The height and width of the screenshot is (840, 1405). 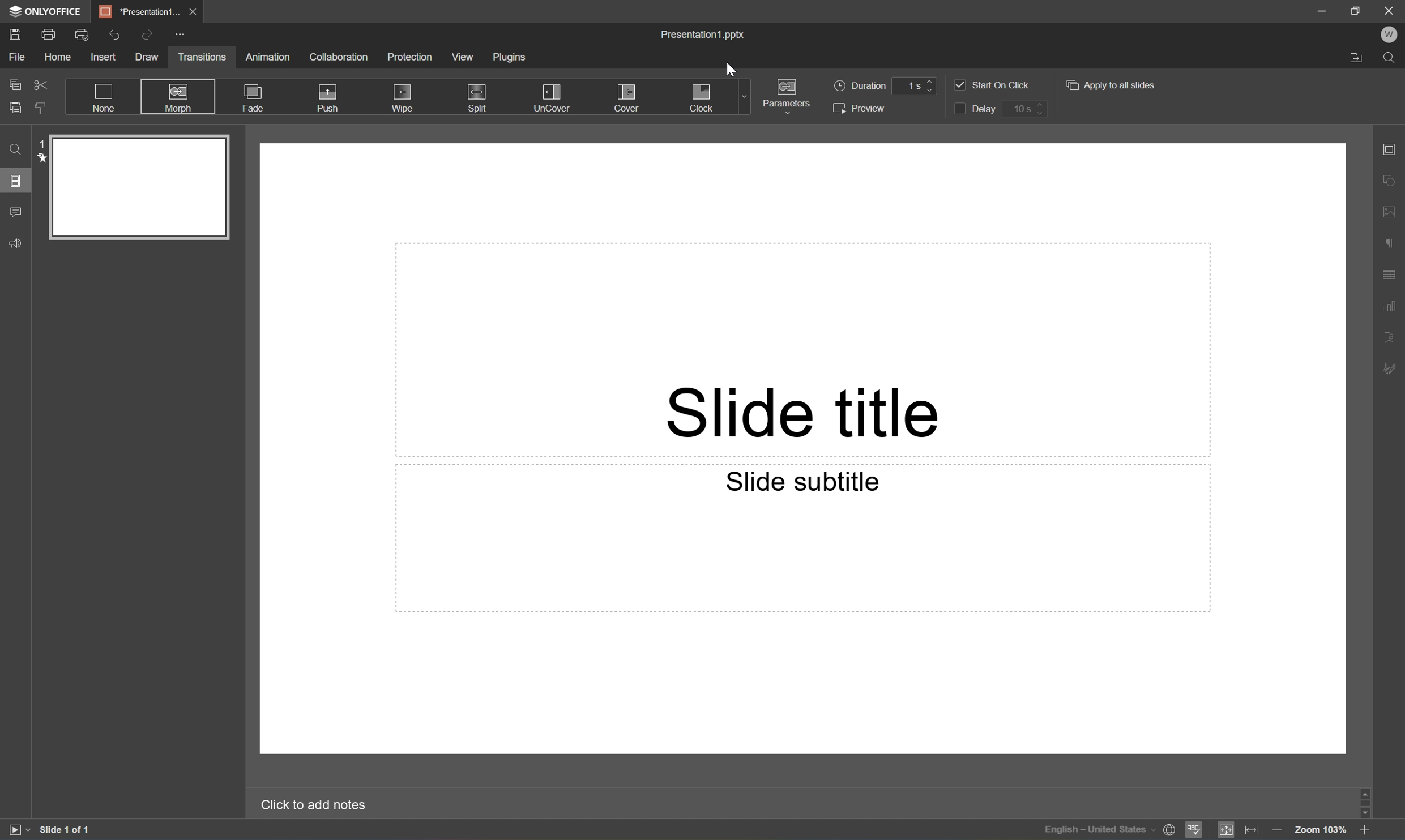 What do you see at coordinates (147, 35) in the screenshot?
I see `Redo` at bounding box center [147, 35].